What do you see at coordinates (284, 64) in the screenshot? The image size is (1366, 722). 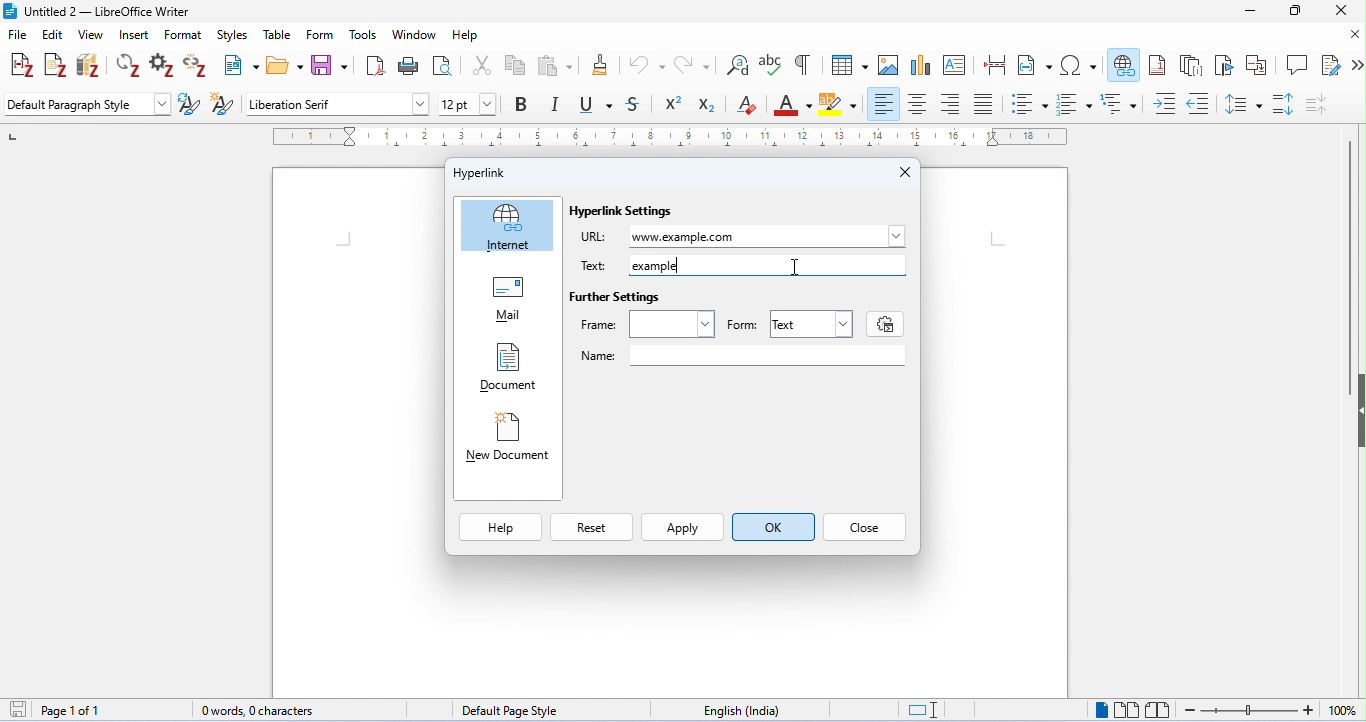 I see `open` at bounding box center [284, 64].